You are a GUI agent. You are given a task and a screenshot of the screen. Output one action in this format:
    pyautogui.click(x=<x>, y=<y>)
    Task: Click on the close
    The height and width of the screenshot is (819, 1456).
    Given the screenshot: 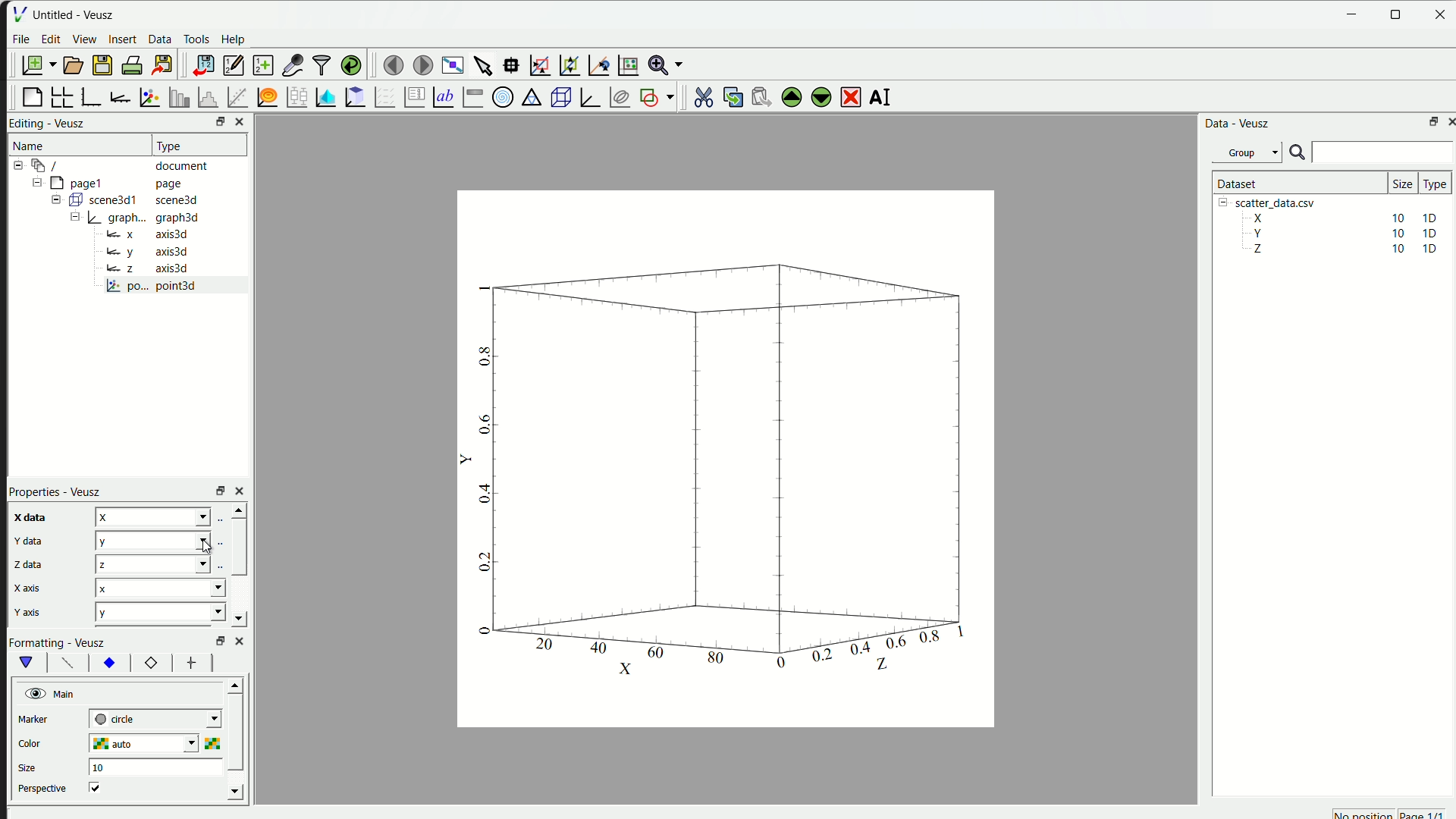 What is the action you would take?
    pyautogui.click(x=242, y=491)
    